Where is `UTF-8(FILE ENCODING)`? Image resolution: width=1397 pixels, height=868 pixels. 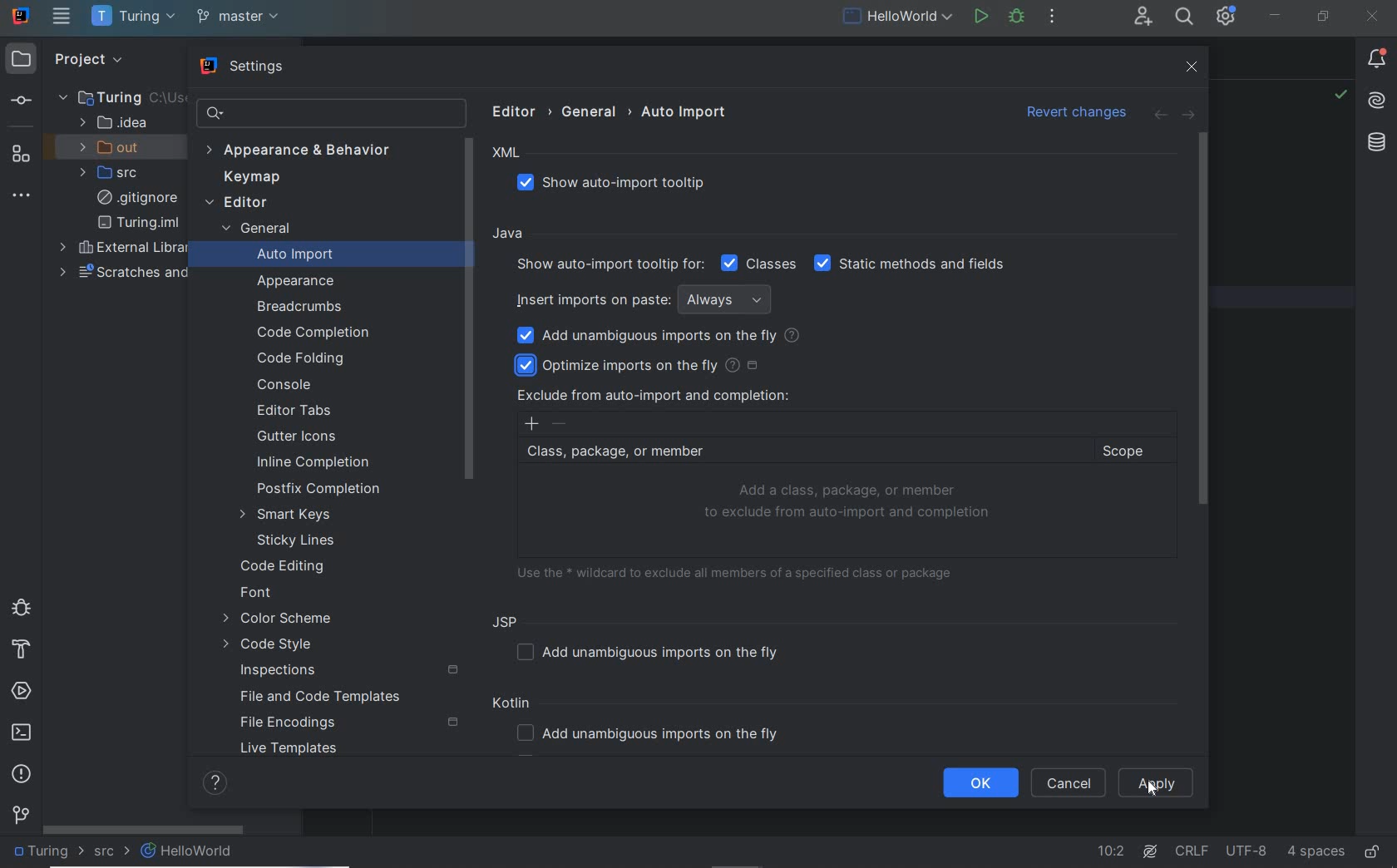 UTF-8(FILE ENCODING) is located at coordinates (1244, 852).